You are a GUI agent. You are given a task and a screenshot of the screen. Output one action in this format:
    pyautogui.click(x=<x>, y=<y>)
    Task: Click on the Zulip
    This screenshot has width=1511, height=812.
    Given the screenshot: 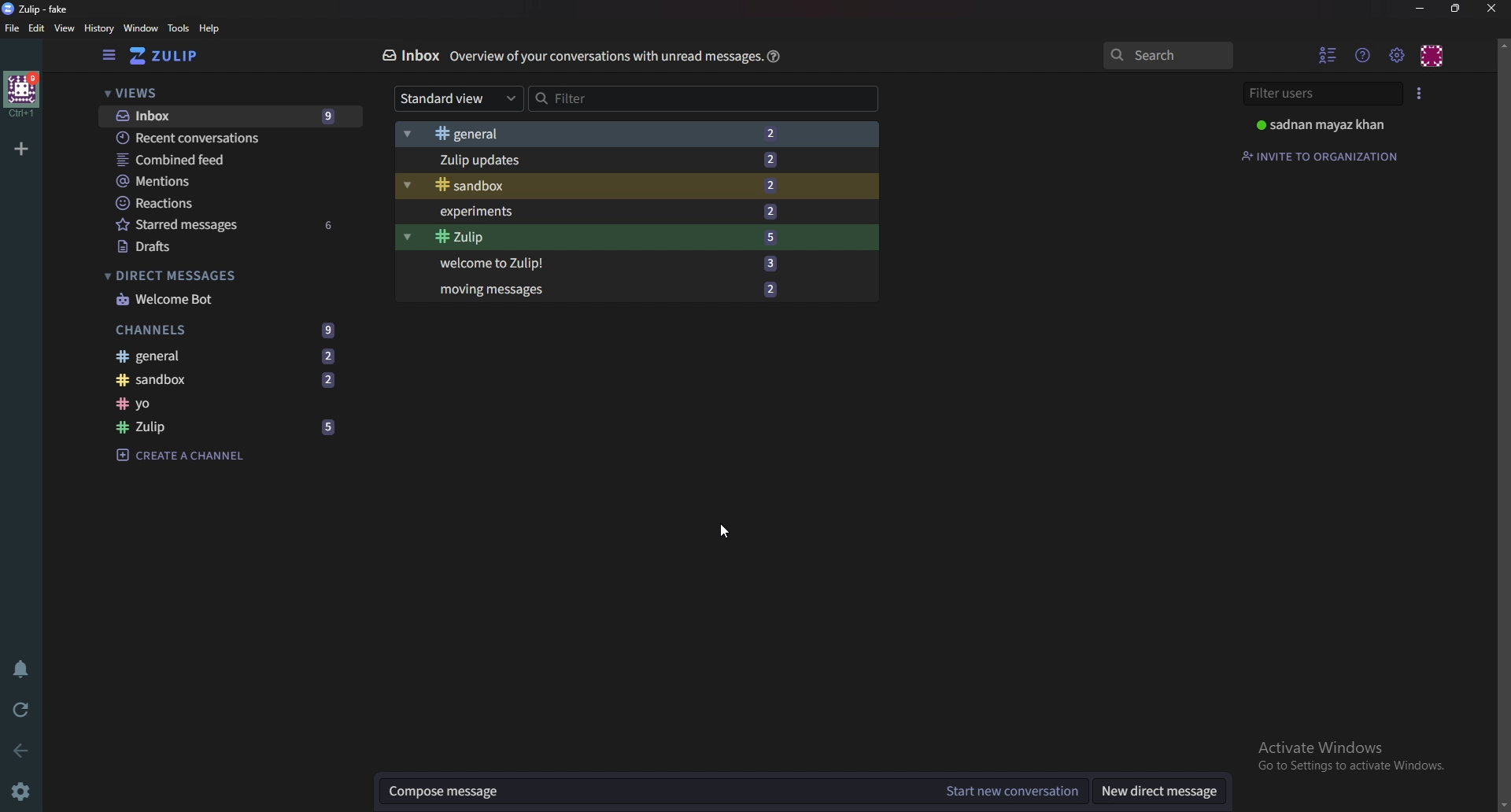 What is the action you would take?
    pyautogui.click(x=612, y=238)
    